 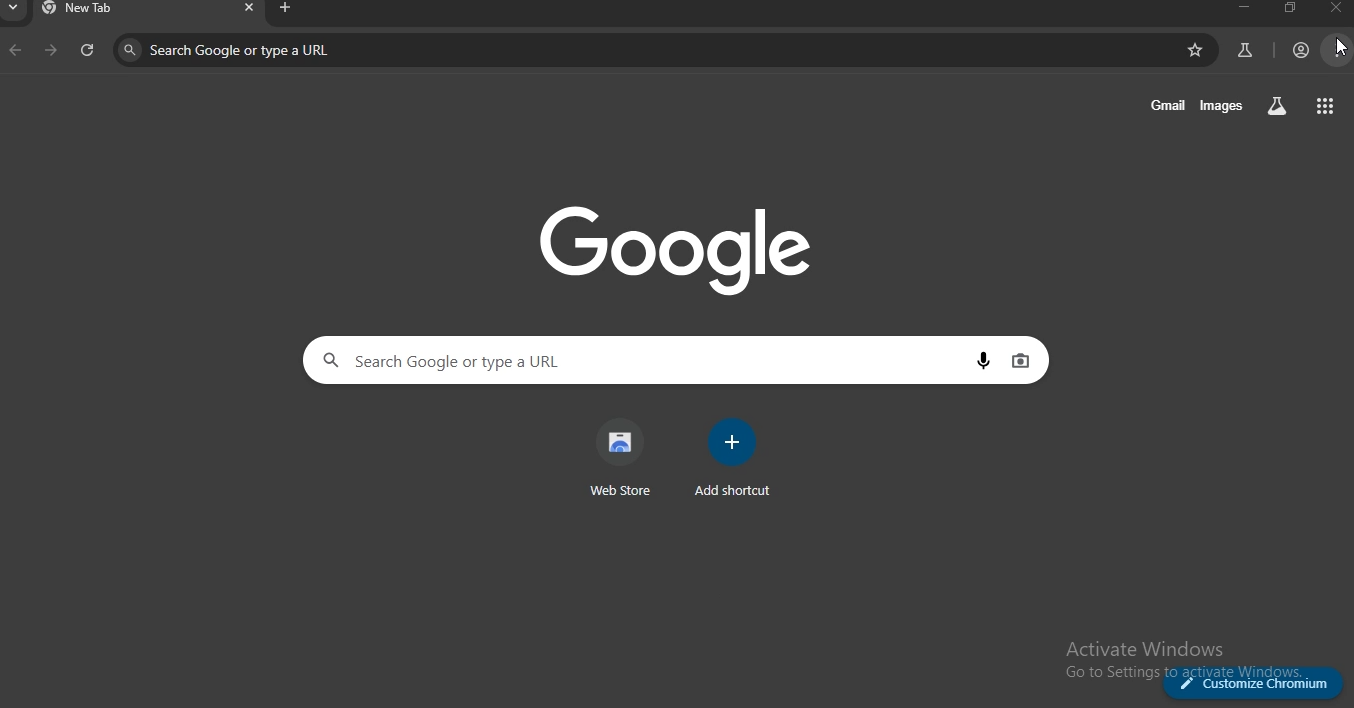 What do you see at coordinates (15, 9) in the screenshot?
I see `search tab` at bounding box center [15, 9].